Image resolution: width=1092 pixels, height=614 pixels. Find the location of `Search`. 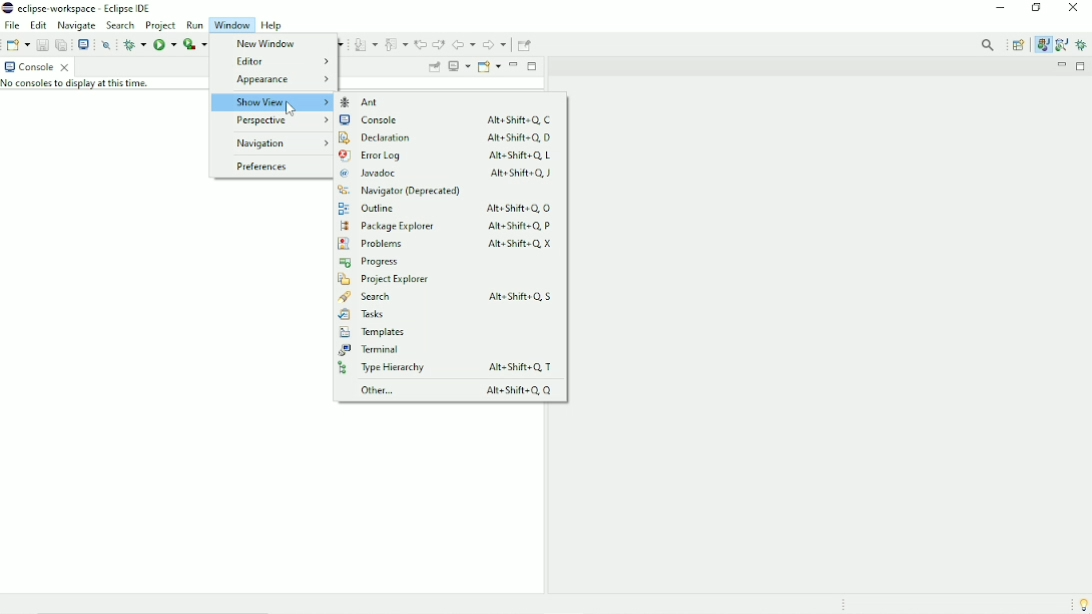

Search is located at coordinates (451, 297).